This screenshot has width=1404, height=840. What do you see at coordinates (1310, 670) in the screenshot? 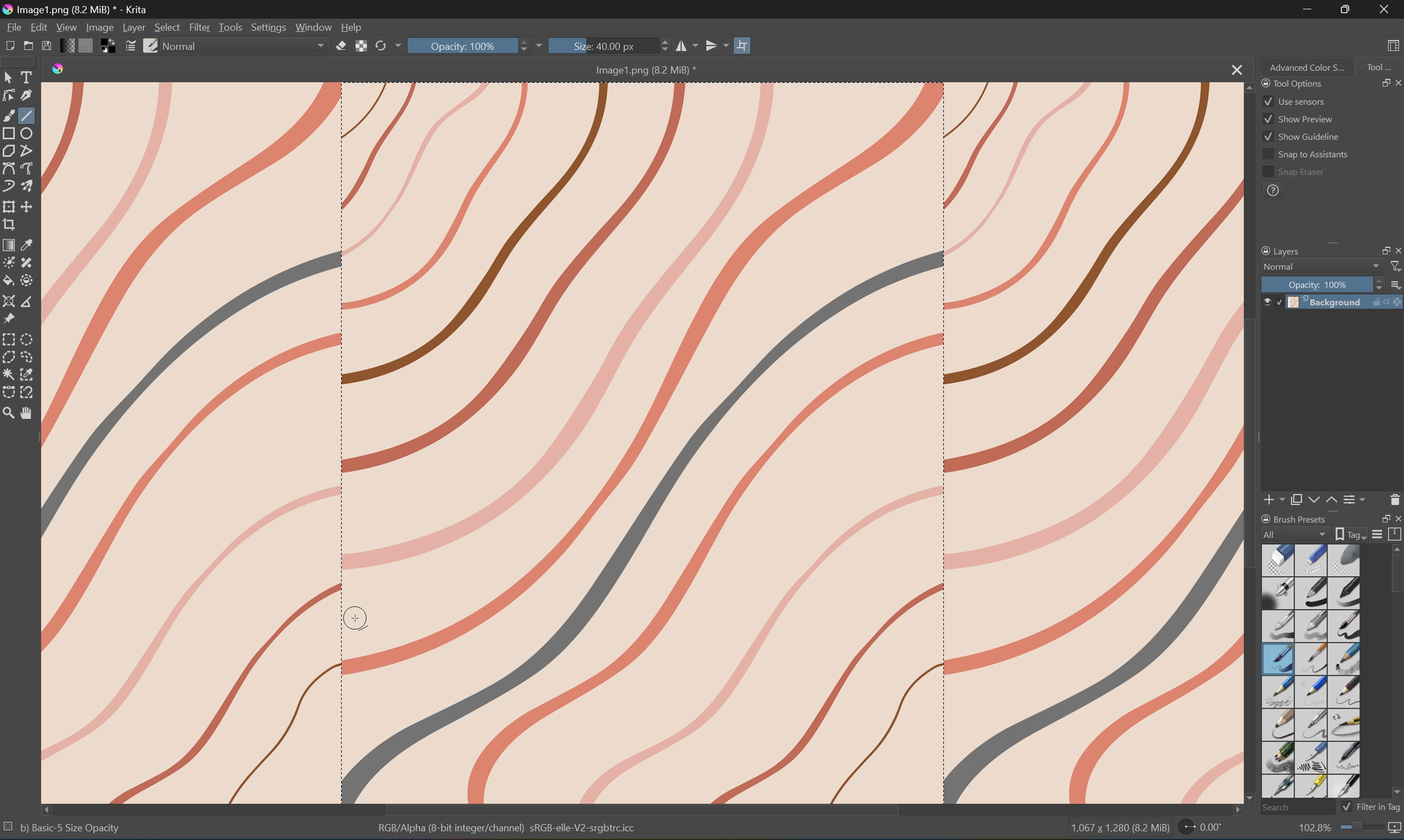
I see `Type of brushes` at bounding box center [1310, 670].